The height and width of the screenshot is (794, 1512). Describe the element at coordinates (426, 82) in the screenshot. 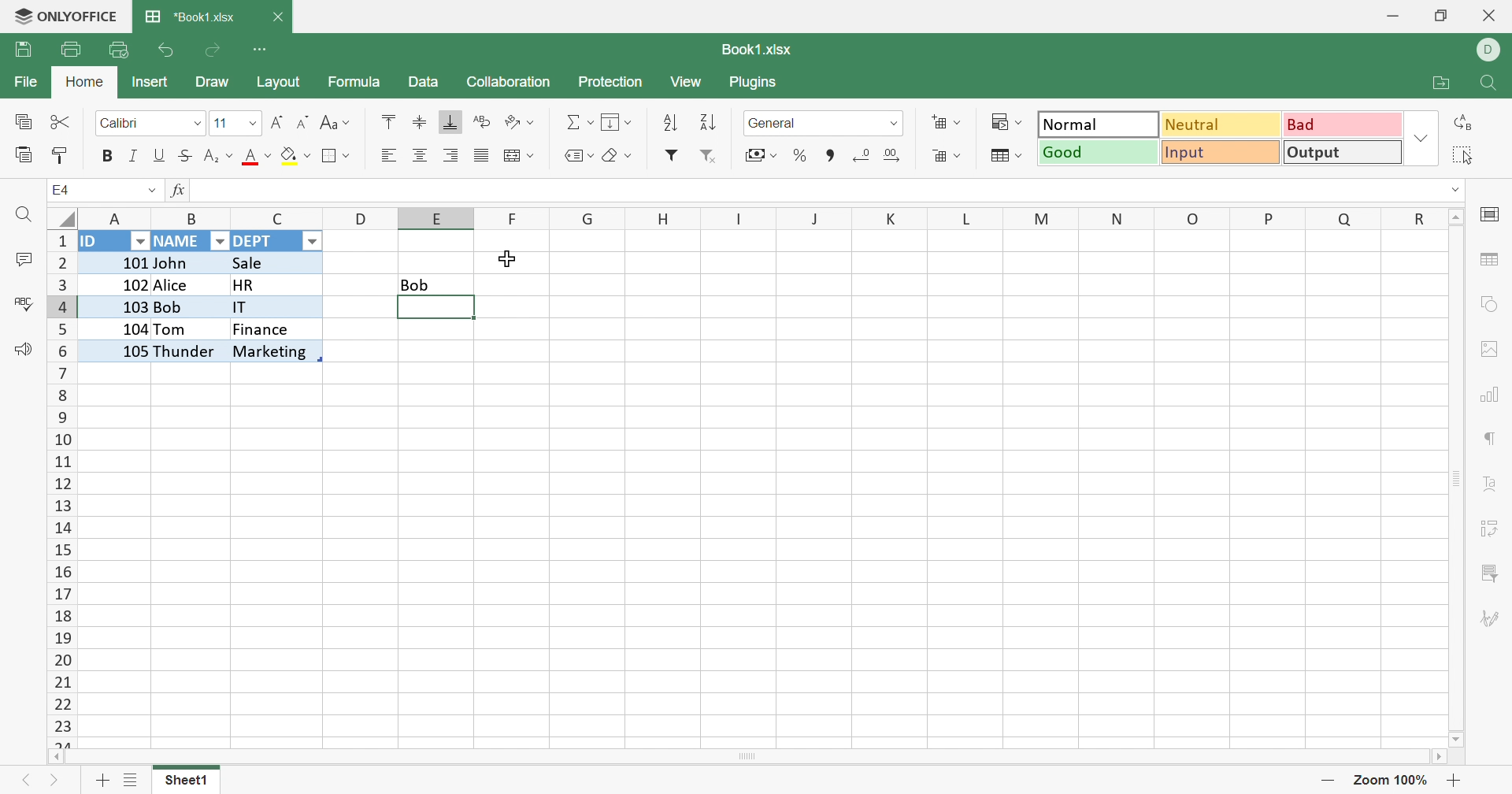

I see `Data` at that location.